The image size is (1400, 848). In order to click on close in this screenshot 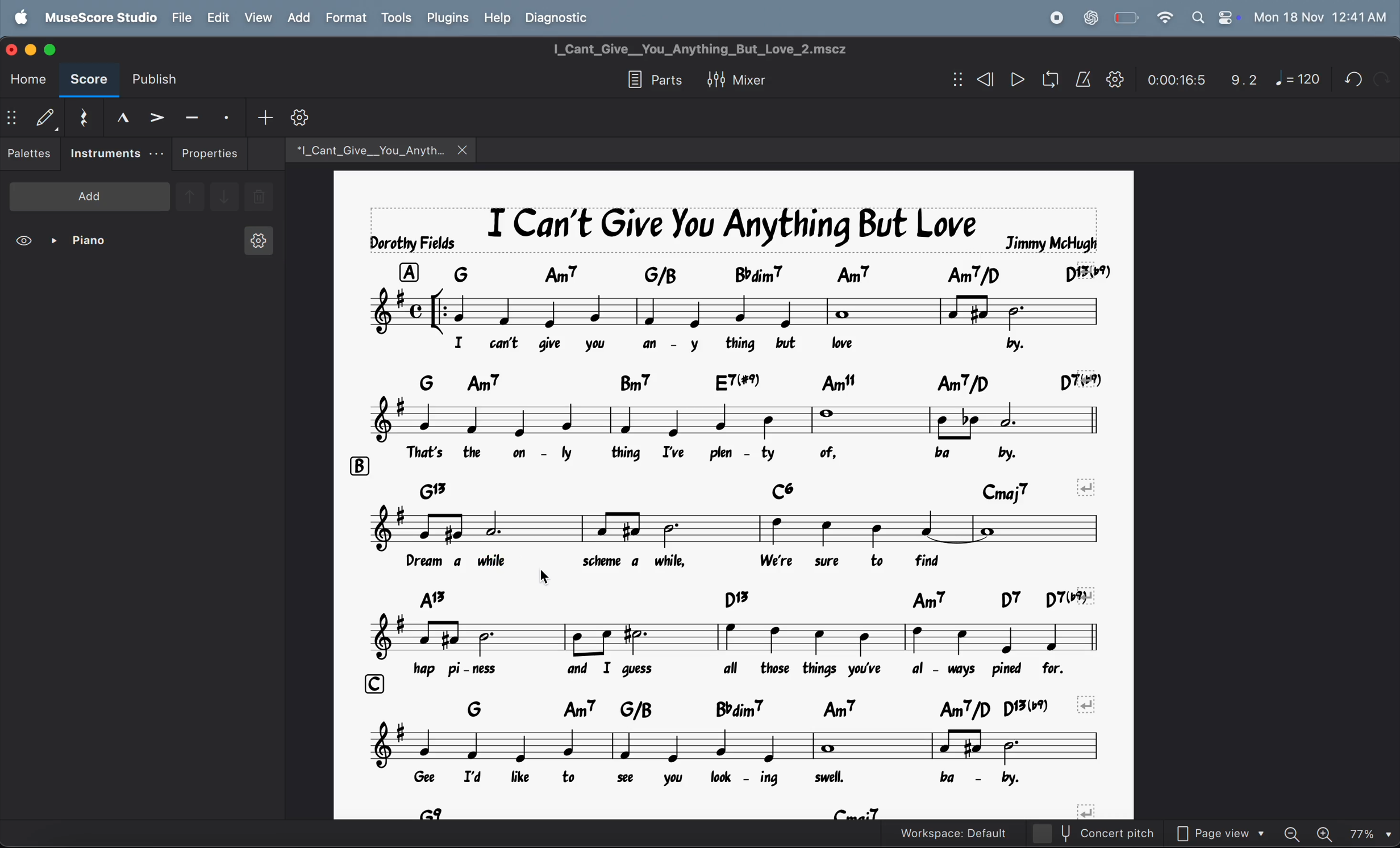, I will do `click(465, 149)`.